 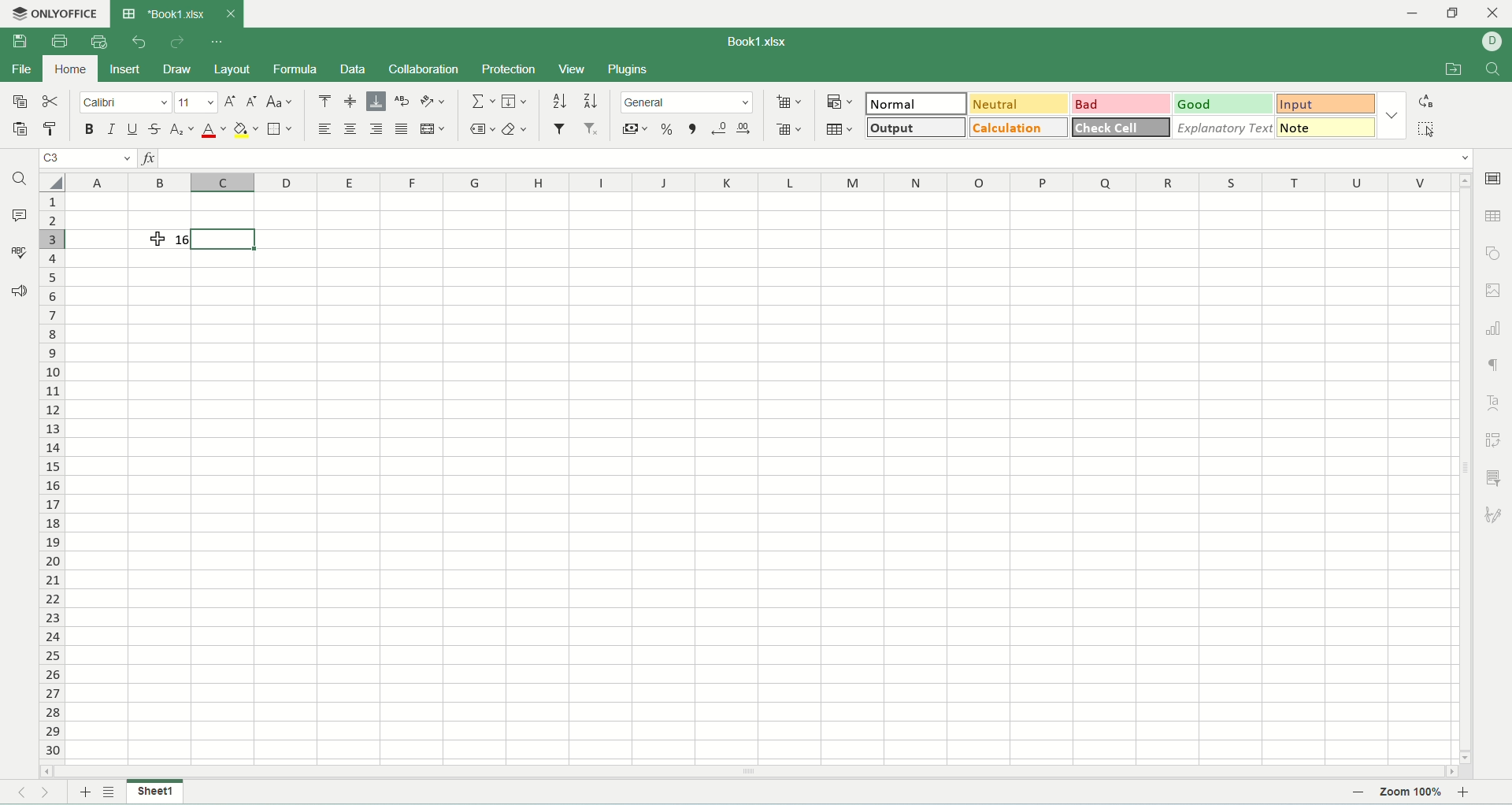 I want to click on borders, so click(x=280, y=128).